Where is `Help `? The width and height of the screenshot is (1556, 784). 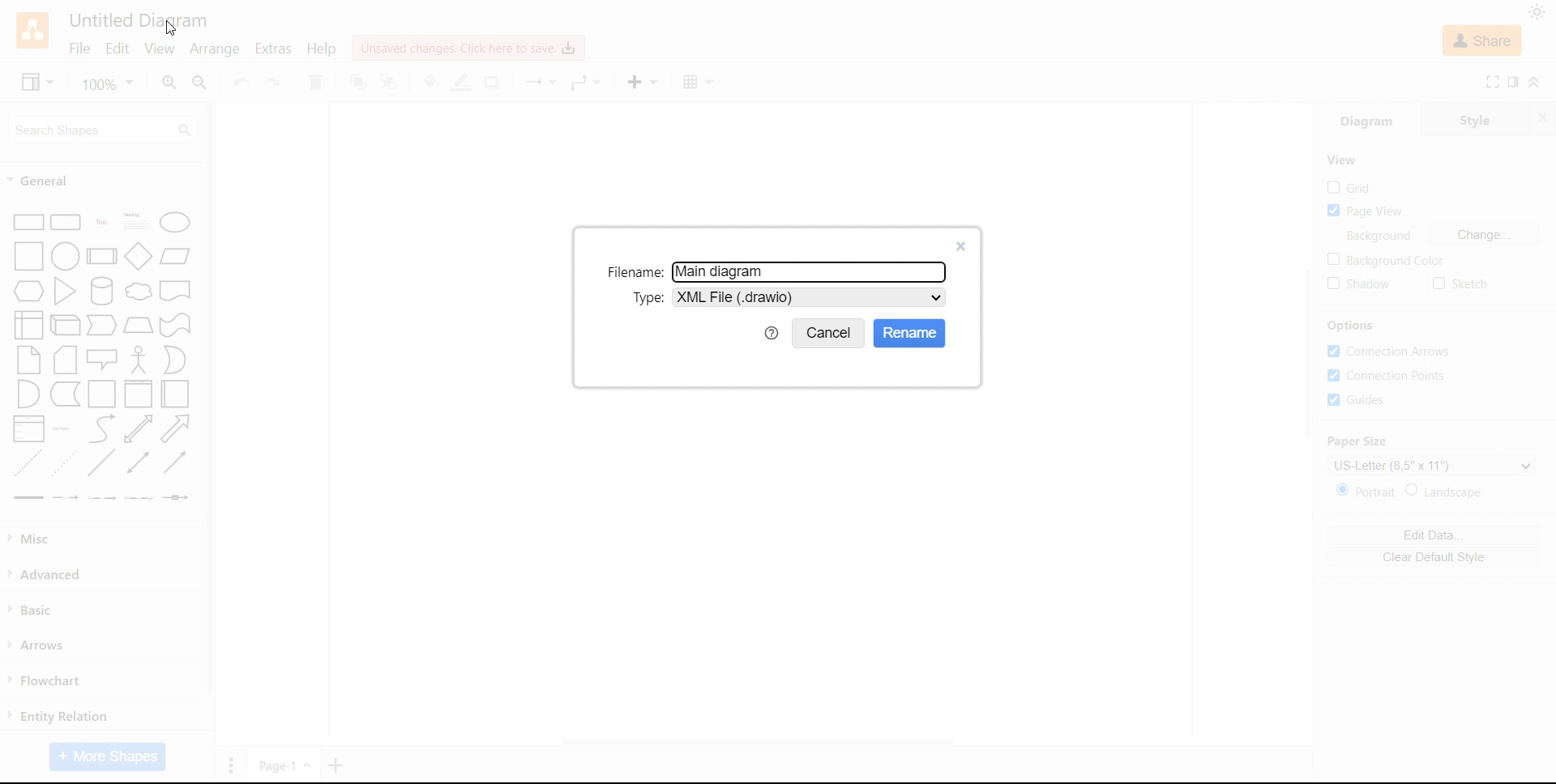
Help  is located at coordinates (322, 48).